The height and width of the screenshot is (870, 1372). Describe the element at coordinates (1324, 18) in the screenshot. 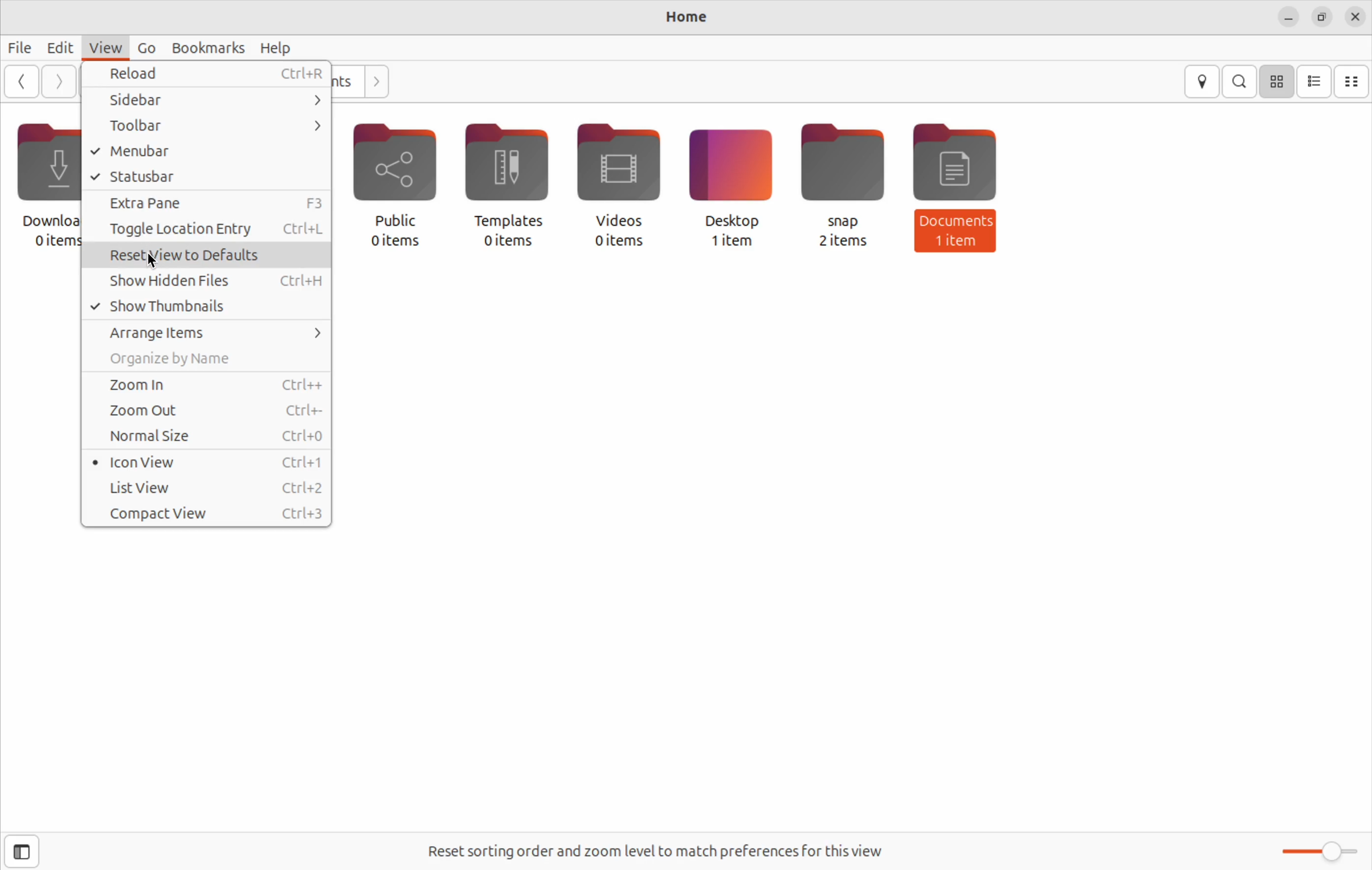

I see `resize` at that location.